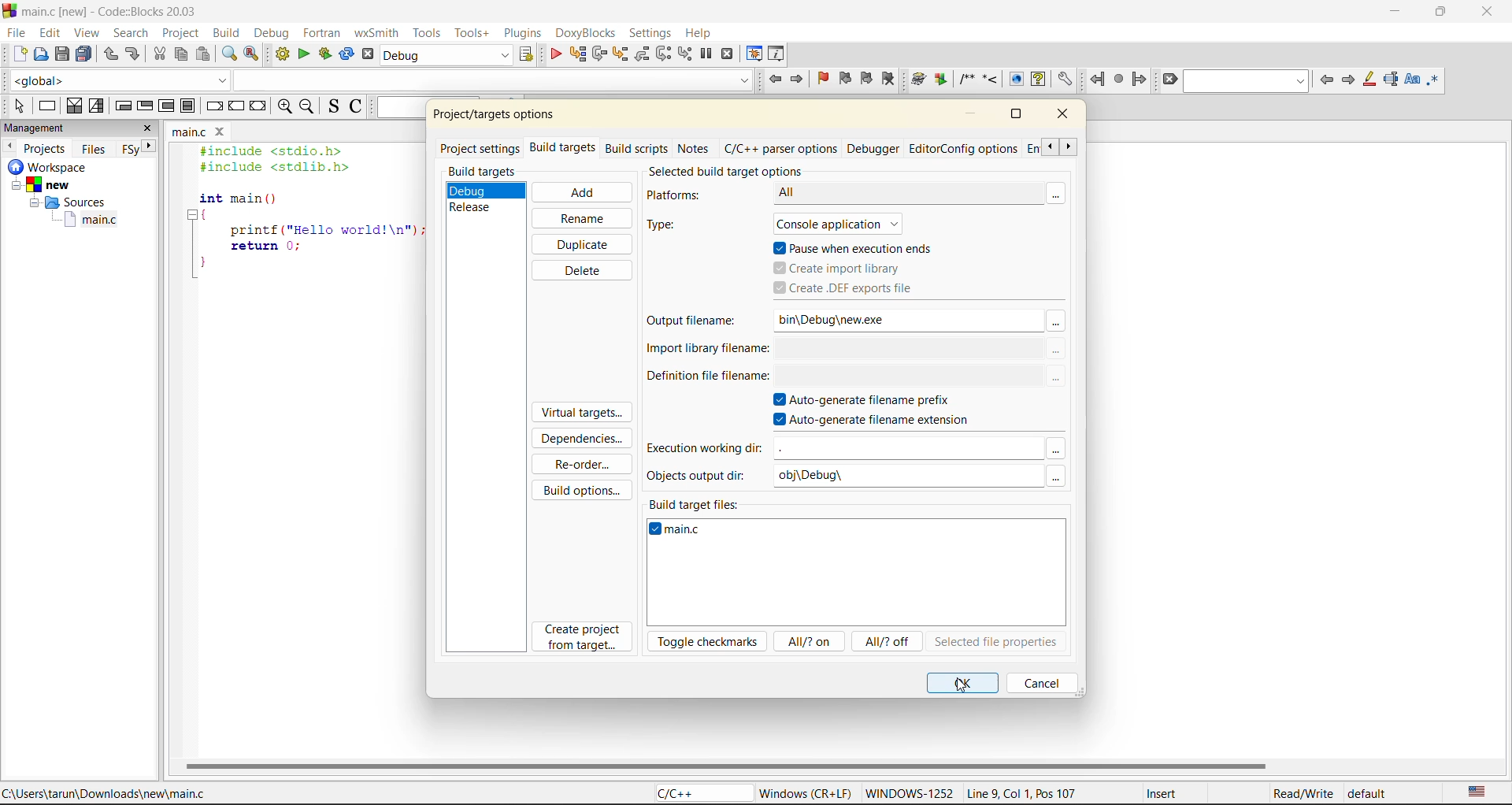 The image size is (1512, 805). Describe the element at coordinates (601, 56) in the screenshot. I see `next line` at that location.